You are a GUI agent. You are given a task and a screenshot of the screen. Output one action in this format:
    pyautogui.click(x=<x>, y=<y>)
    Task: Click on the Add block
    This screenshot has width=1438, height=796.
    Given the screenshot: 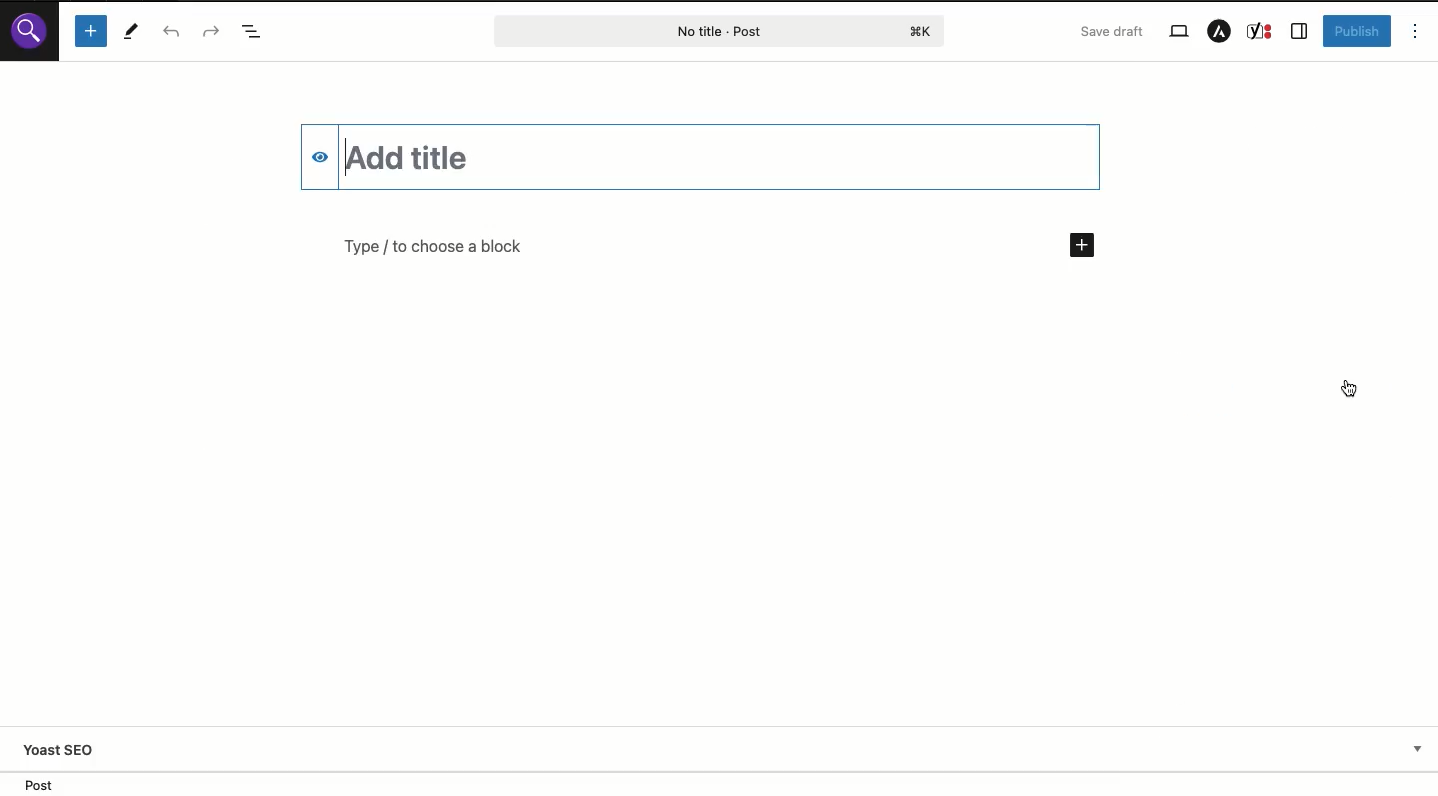 What is the action you would take?
    pyautogui.click(x=93, y=30)
    